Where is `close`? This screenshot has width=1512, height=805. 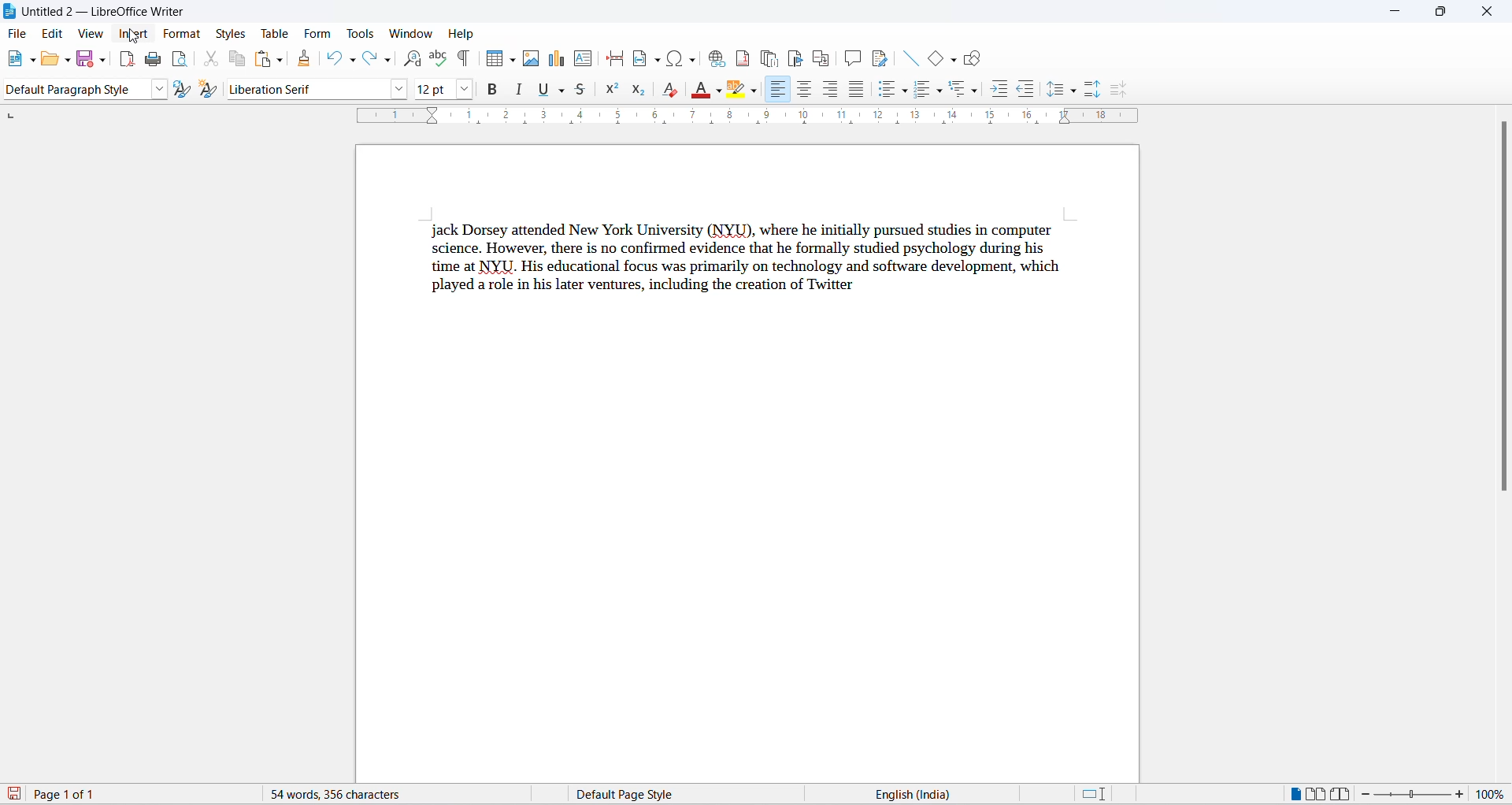 close is located at coordinates (1487, 9).